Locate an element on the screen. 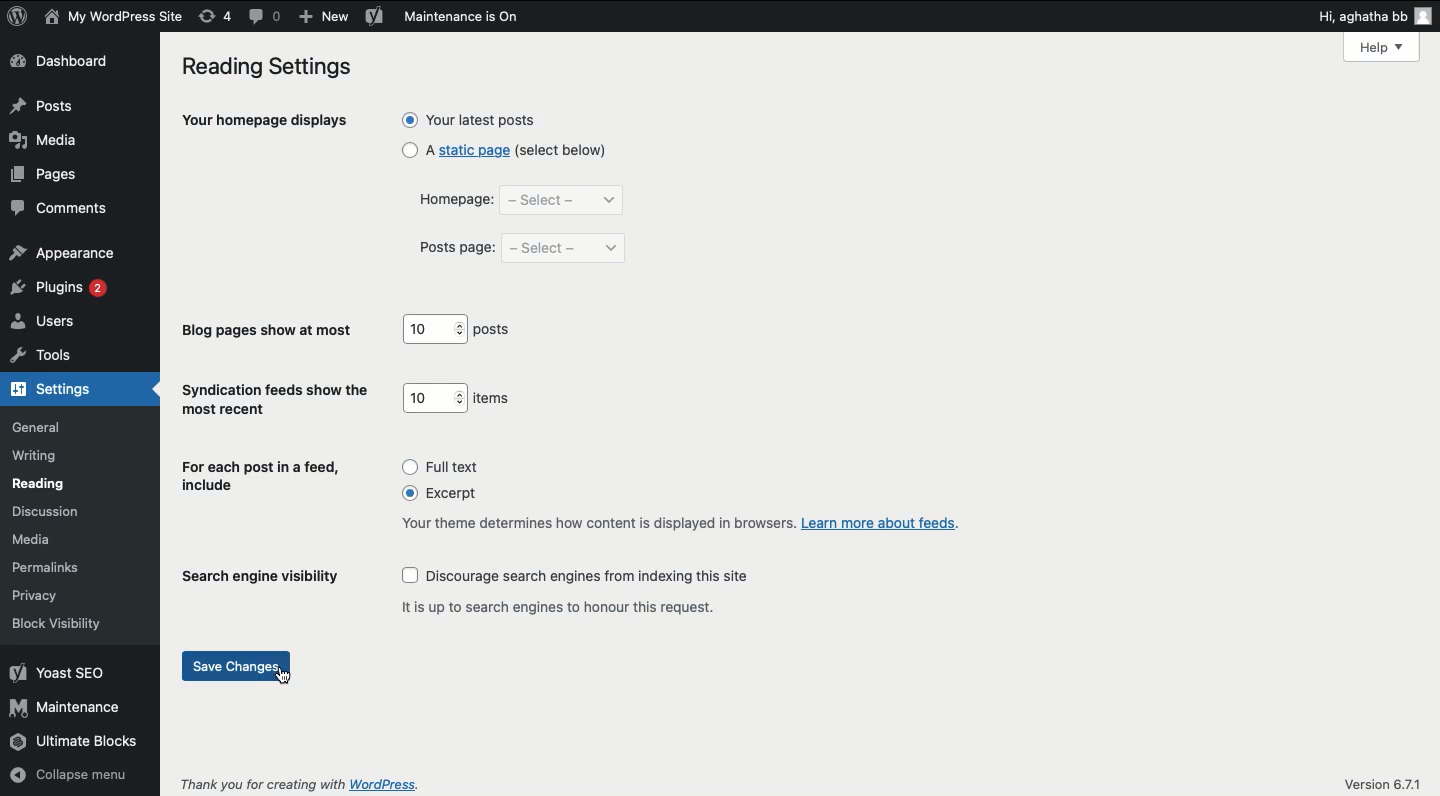  tools is located at coordinates (46, 355).